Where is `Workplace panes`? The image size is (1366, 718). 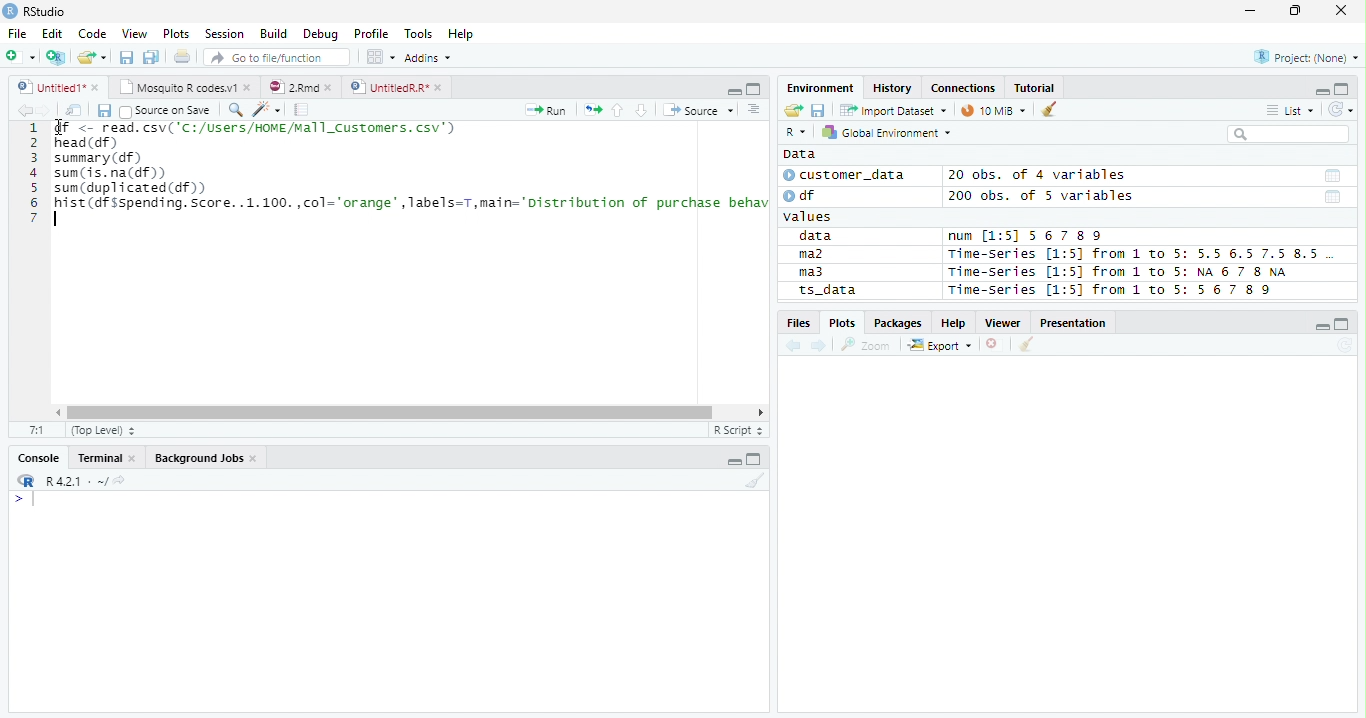 Workplace panes is located at coordinates (380, 57).